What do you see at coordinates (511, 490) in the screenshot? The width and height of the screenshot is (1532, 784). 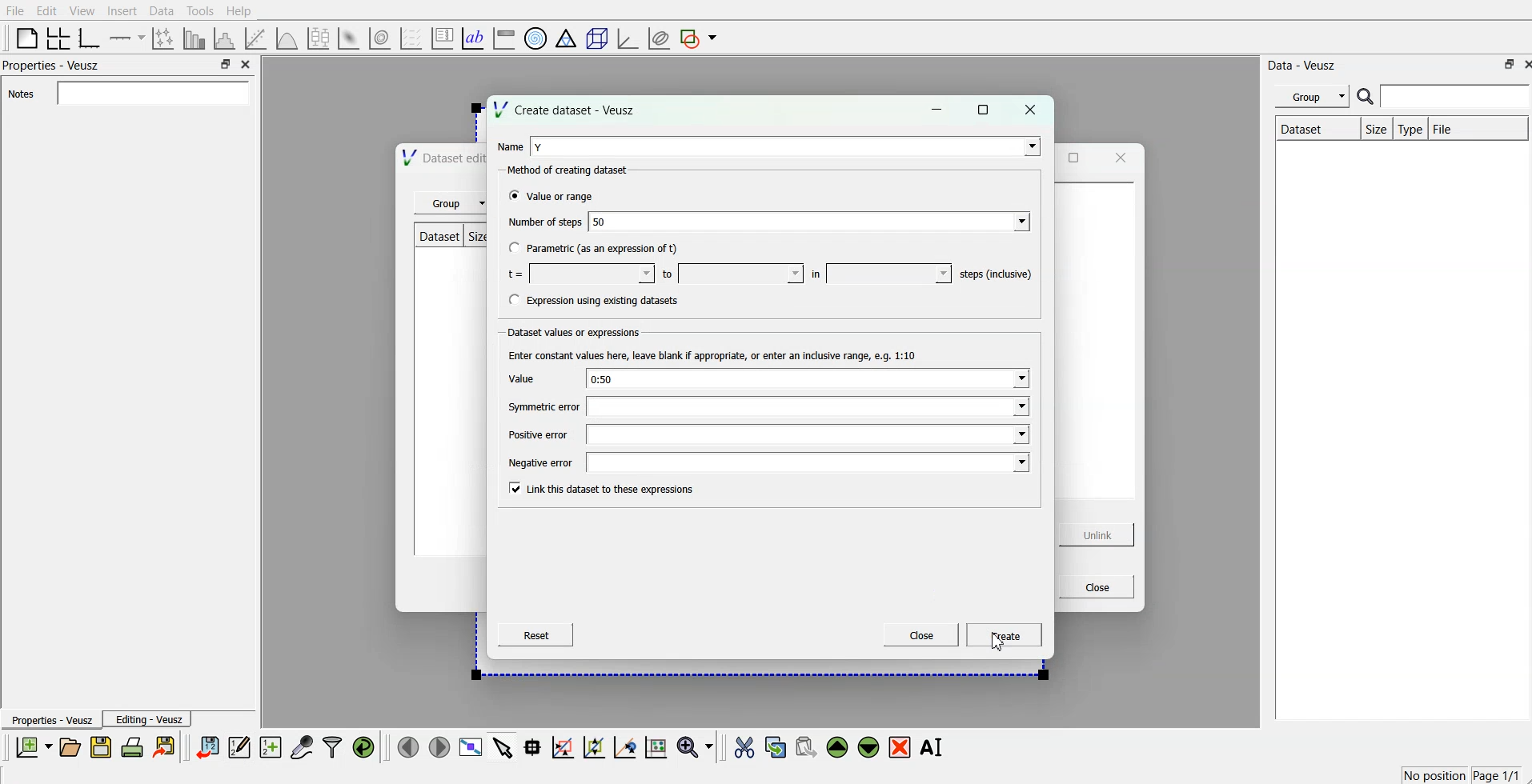 I see `checkbox` at bounding box center [511, 490].